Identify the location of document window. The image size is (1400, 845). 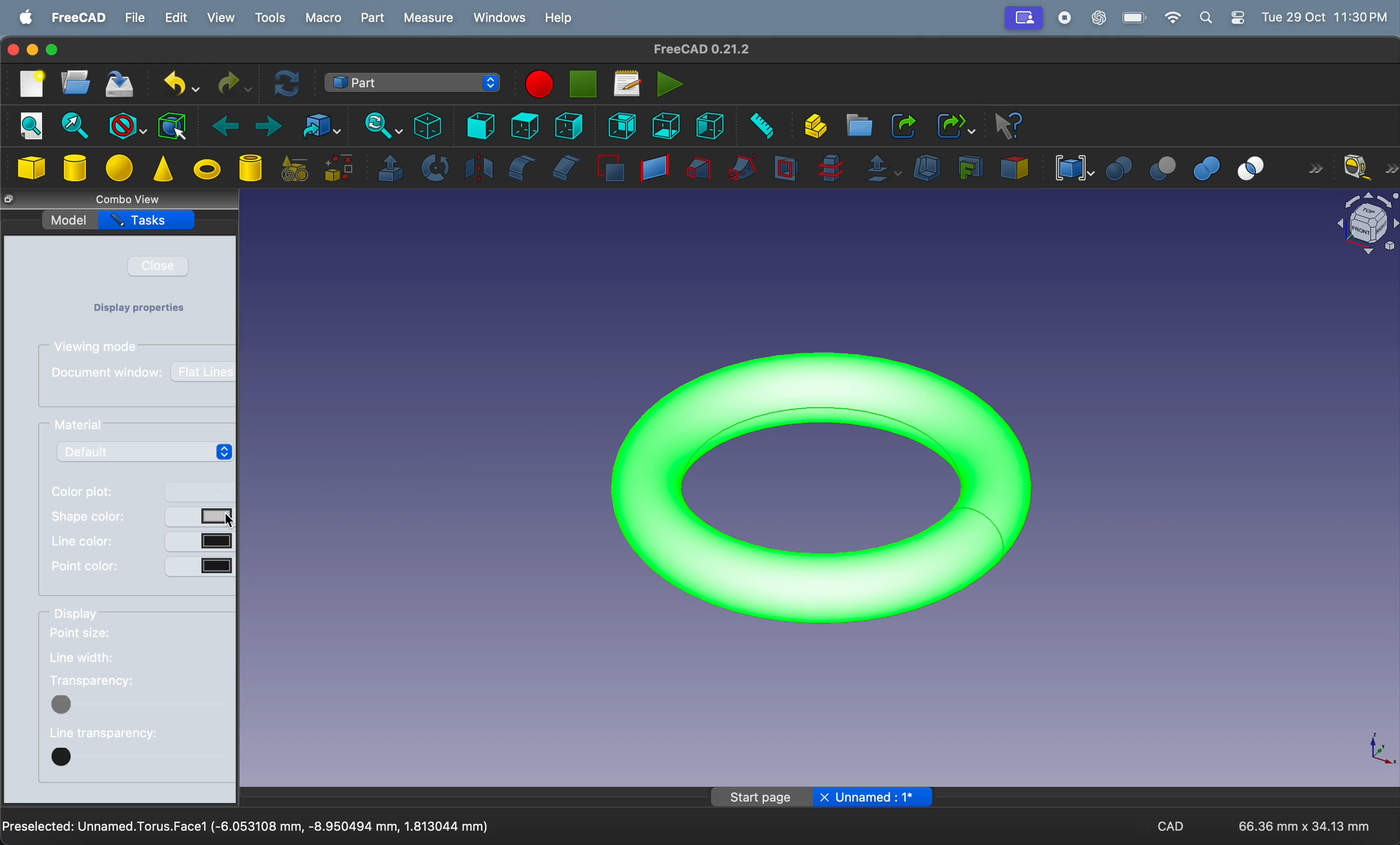
(108, 374).